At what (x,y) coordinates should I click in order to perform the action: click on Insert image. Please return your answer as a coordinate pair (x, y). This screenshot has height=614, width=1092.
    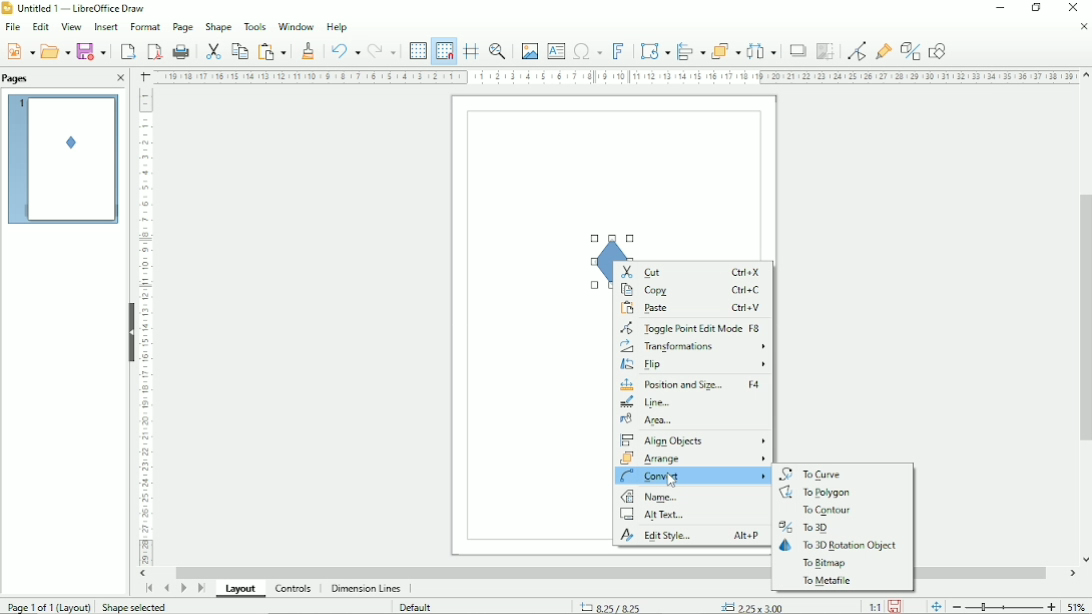
    Looking at the image, I should click on (528, 51).